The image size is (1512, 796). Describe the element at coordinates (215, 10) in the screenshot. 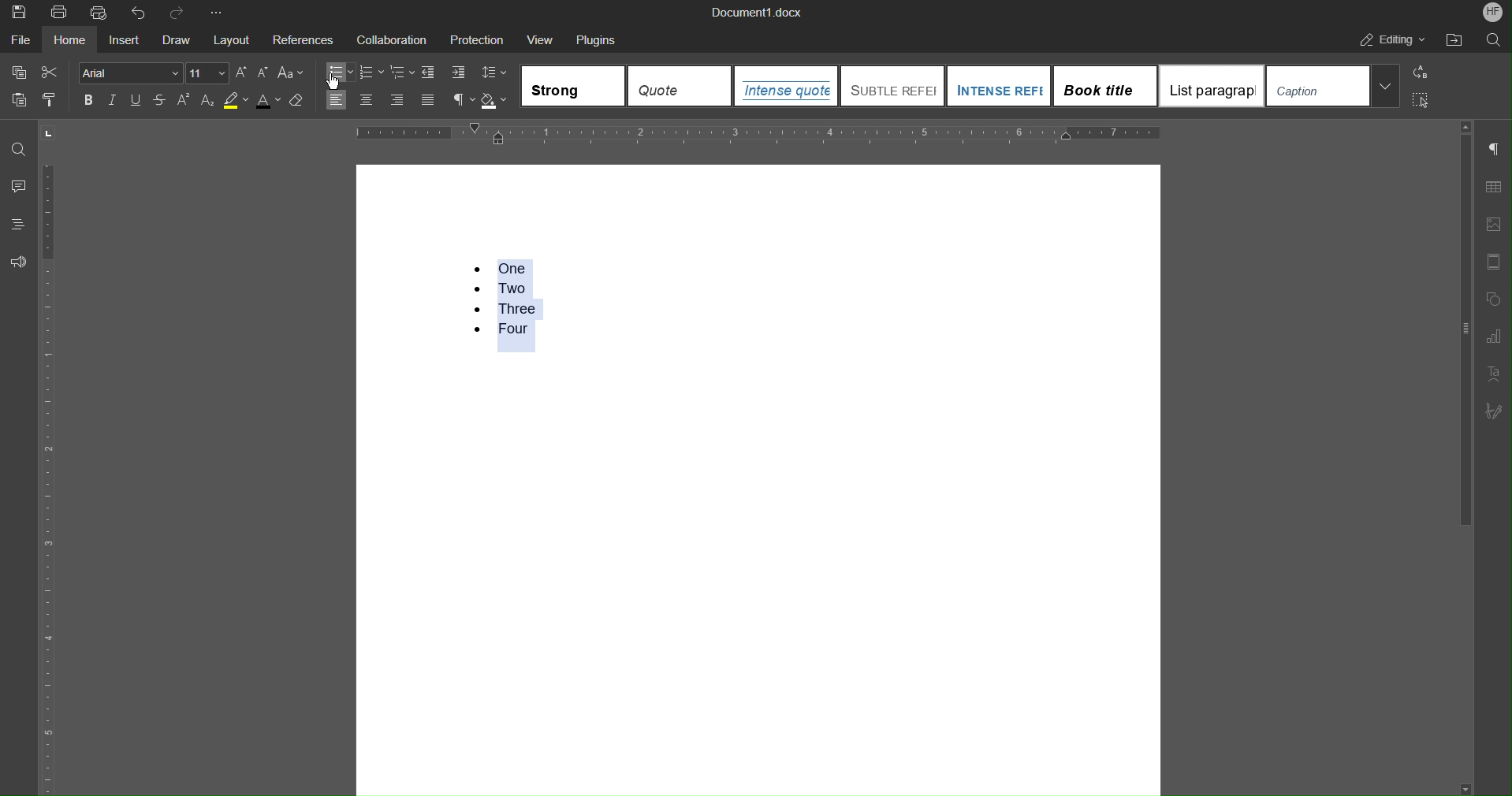

I see `More` at that location.